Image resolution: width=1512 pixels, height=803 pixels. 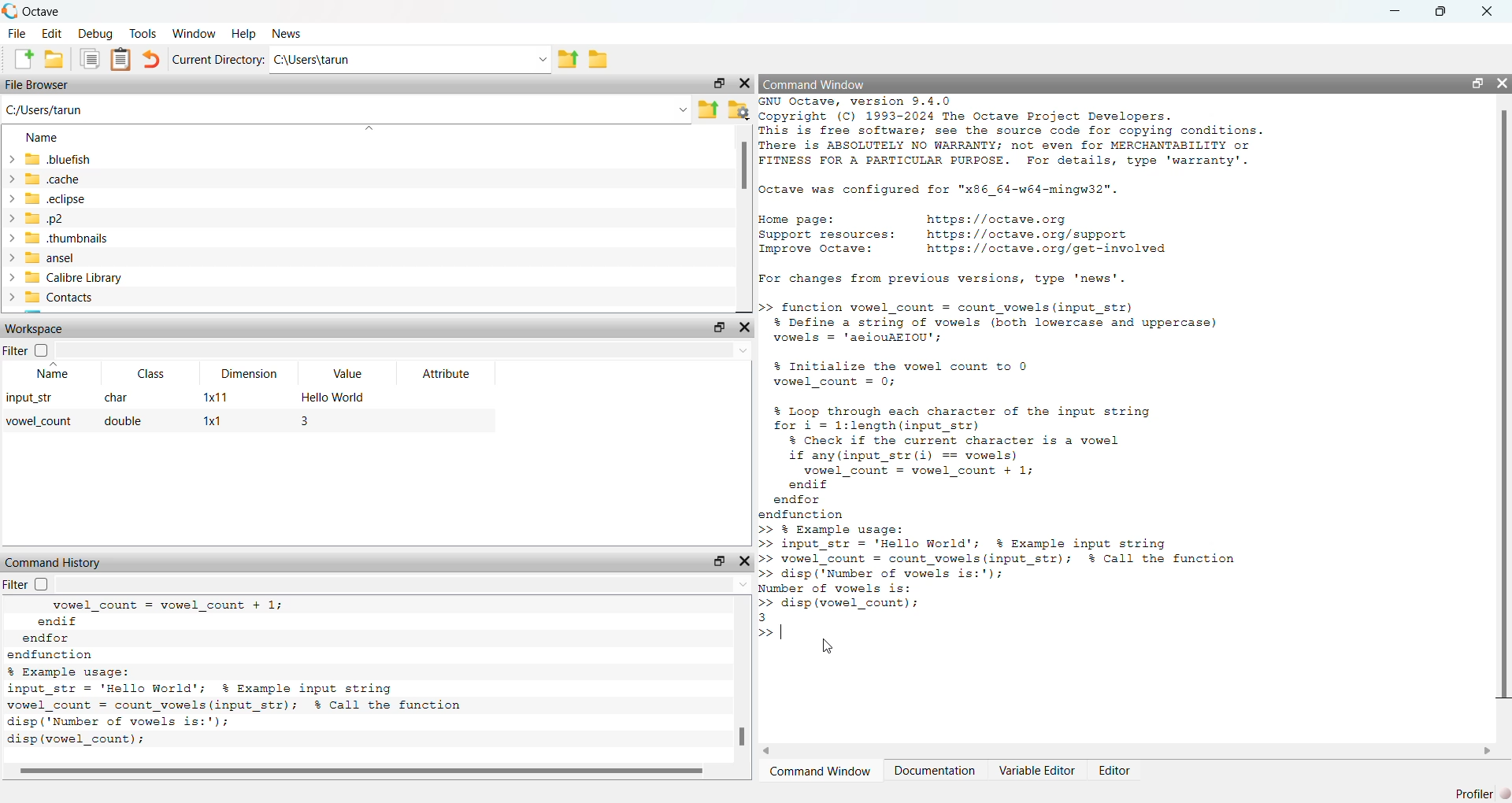 I want to click on GNU Octave, version 35.4.0
Copyright (C) 1993-2024 The Octave Project Developers.

This is free software; see the source code for copying conditions.
There is ABSOLUTELY NO WARRANTY; not even for MERCHANTABILITY or
FITNESS FOR A PARTICULAR PURPOSE. For details, type 'warranty'., so click(x=1013, y=134).